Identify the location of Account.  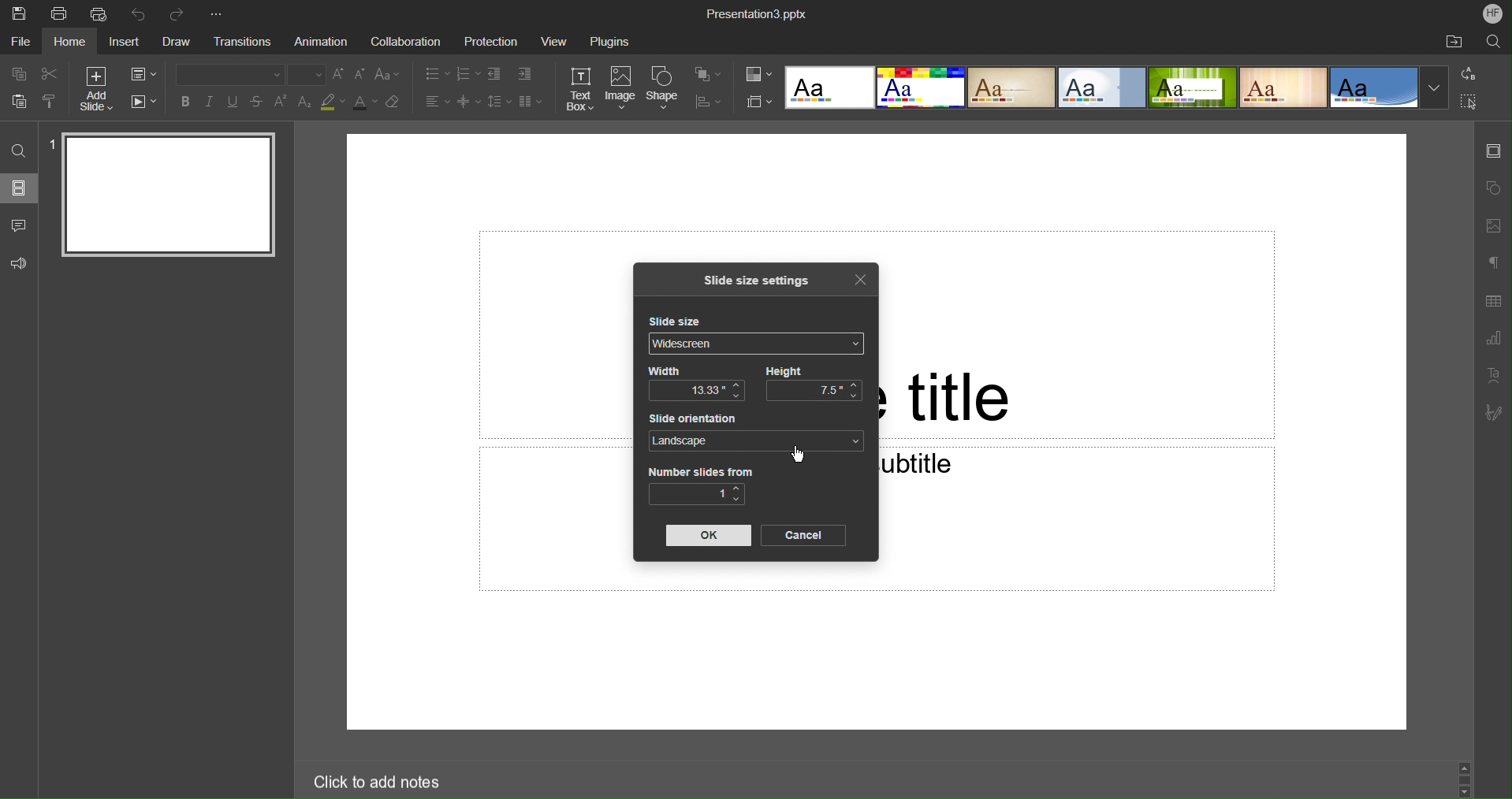
(1493, 13).